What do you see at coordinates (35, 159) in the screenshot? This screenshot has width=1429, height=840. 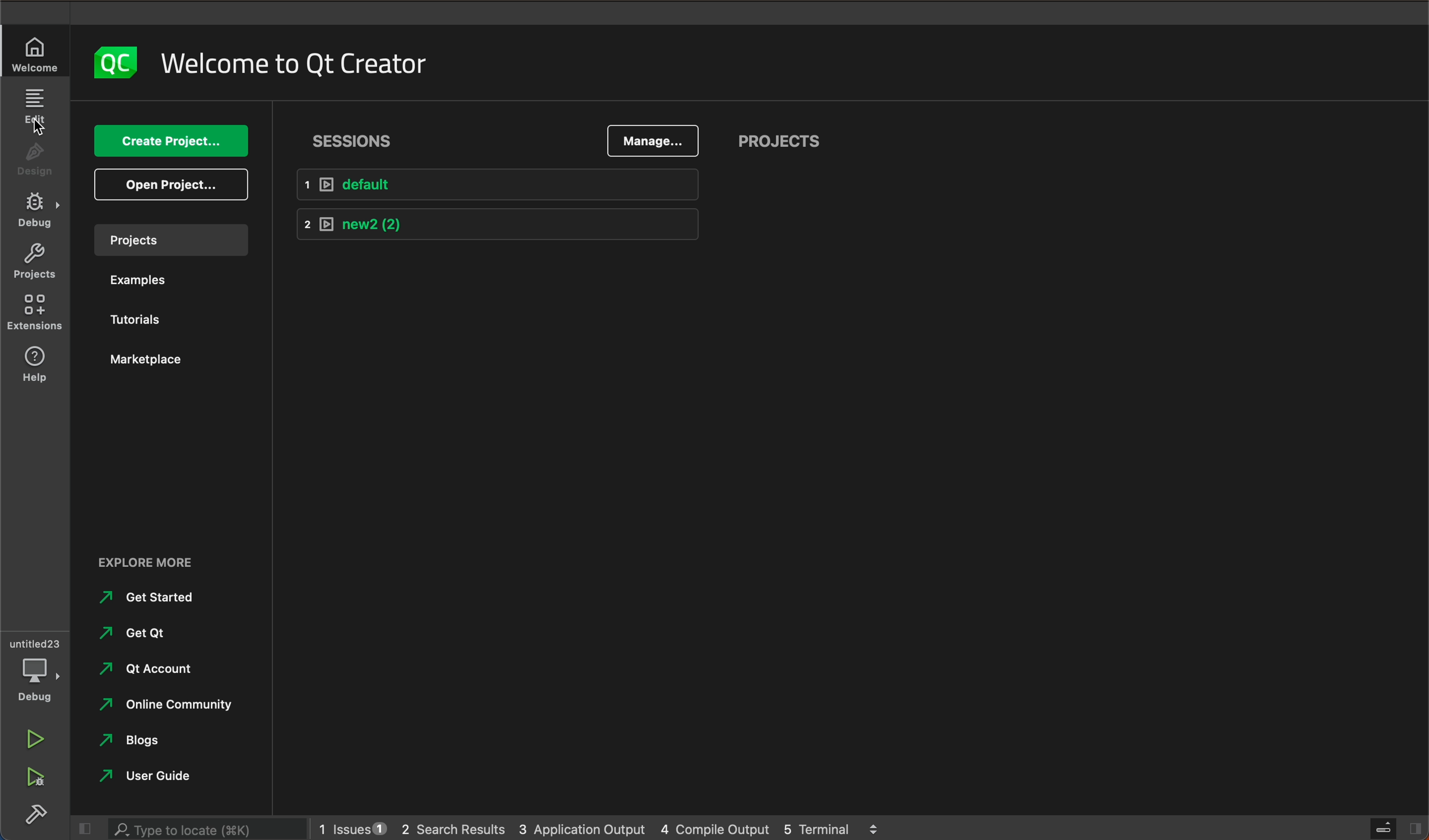 I see `design` at bounding box center [35, 159].